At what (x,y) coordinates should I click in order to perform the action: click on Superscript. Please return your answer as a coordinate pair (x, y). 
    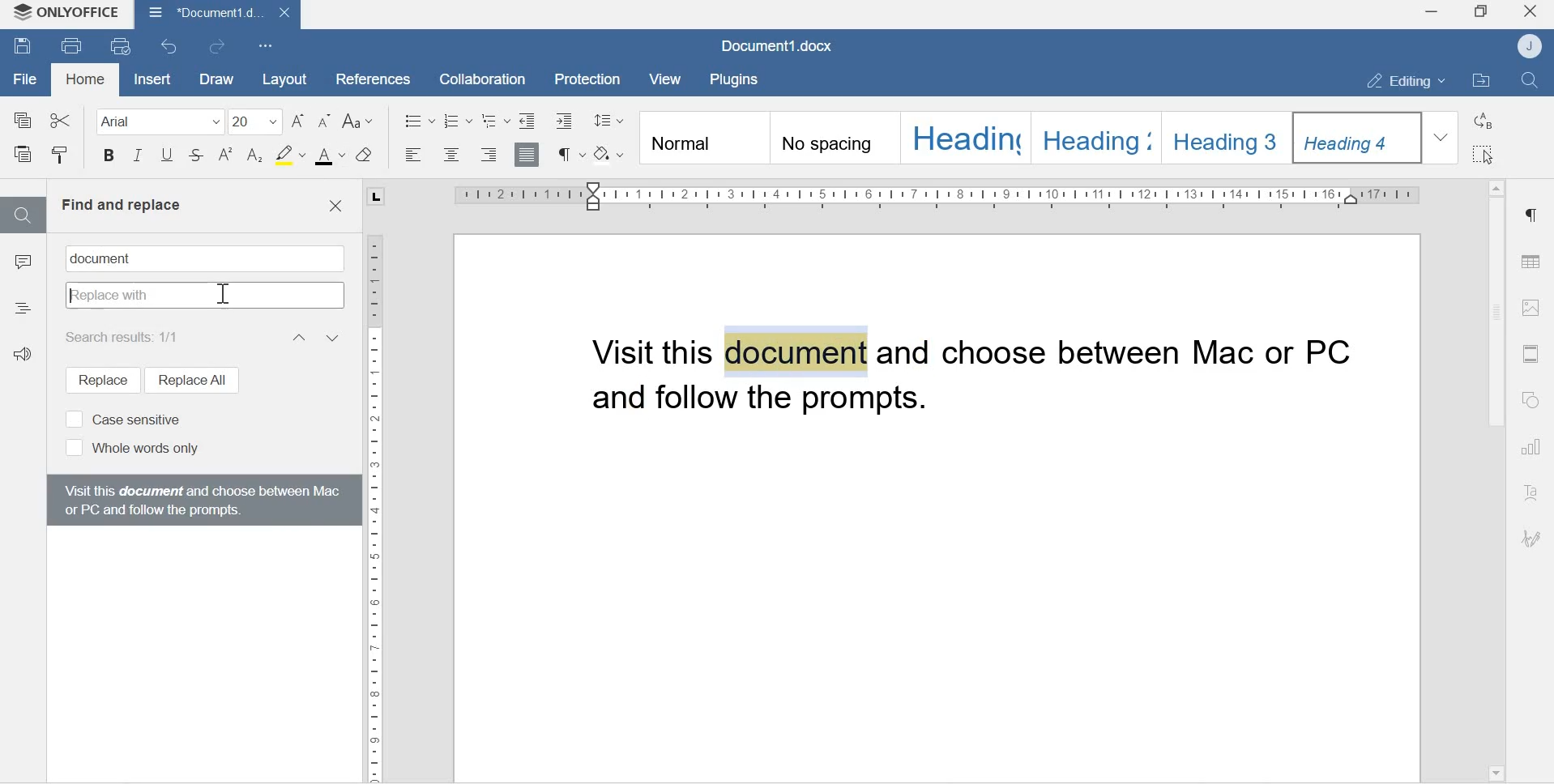
    Looking at the image, I should click on (226, 156).